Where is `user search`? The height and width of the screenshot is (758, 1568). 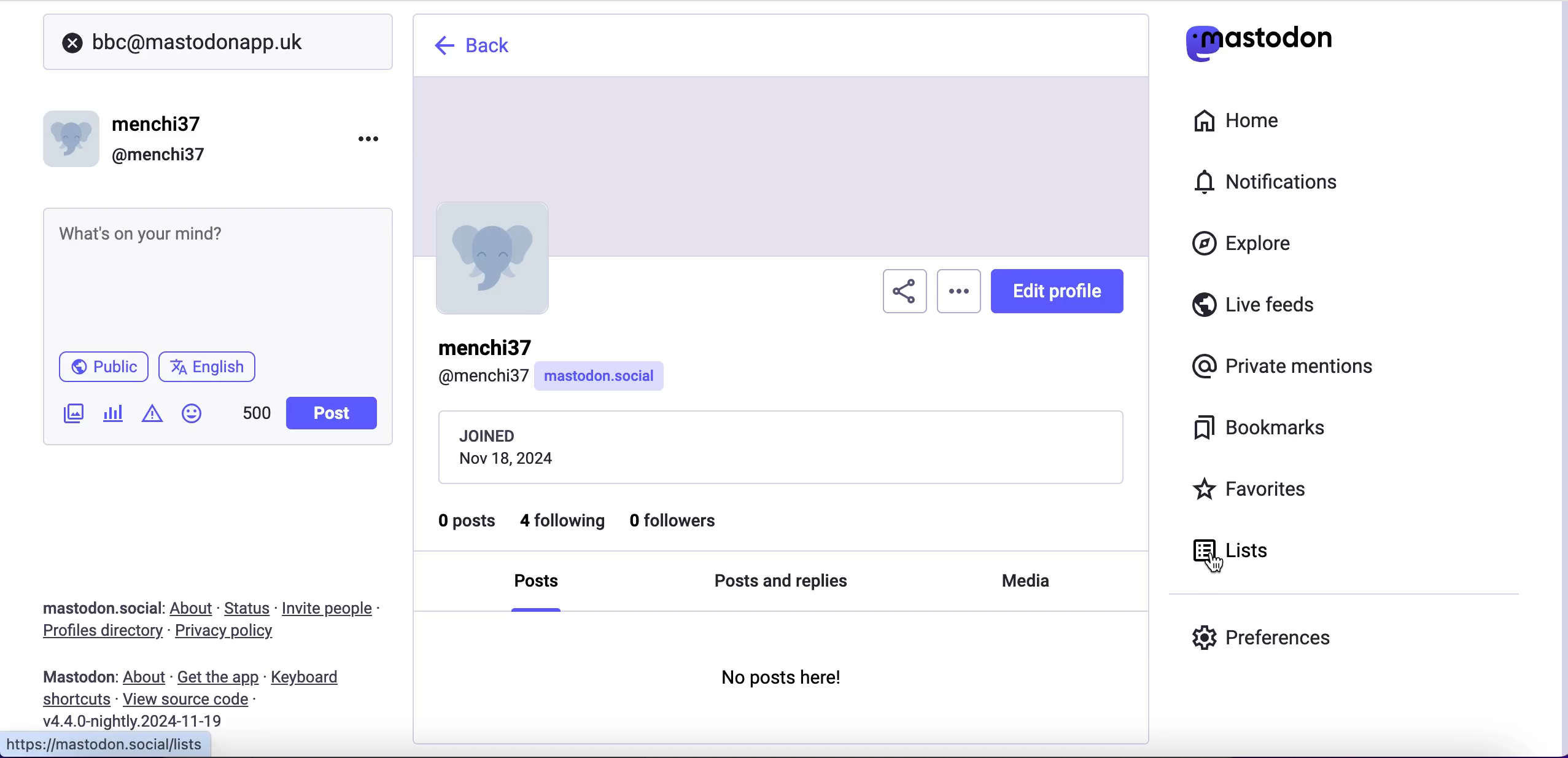
user search is located at coordinates (217, 42).